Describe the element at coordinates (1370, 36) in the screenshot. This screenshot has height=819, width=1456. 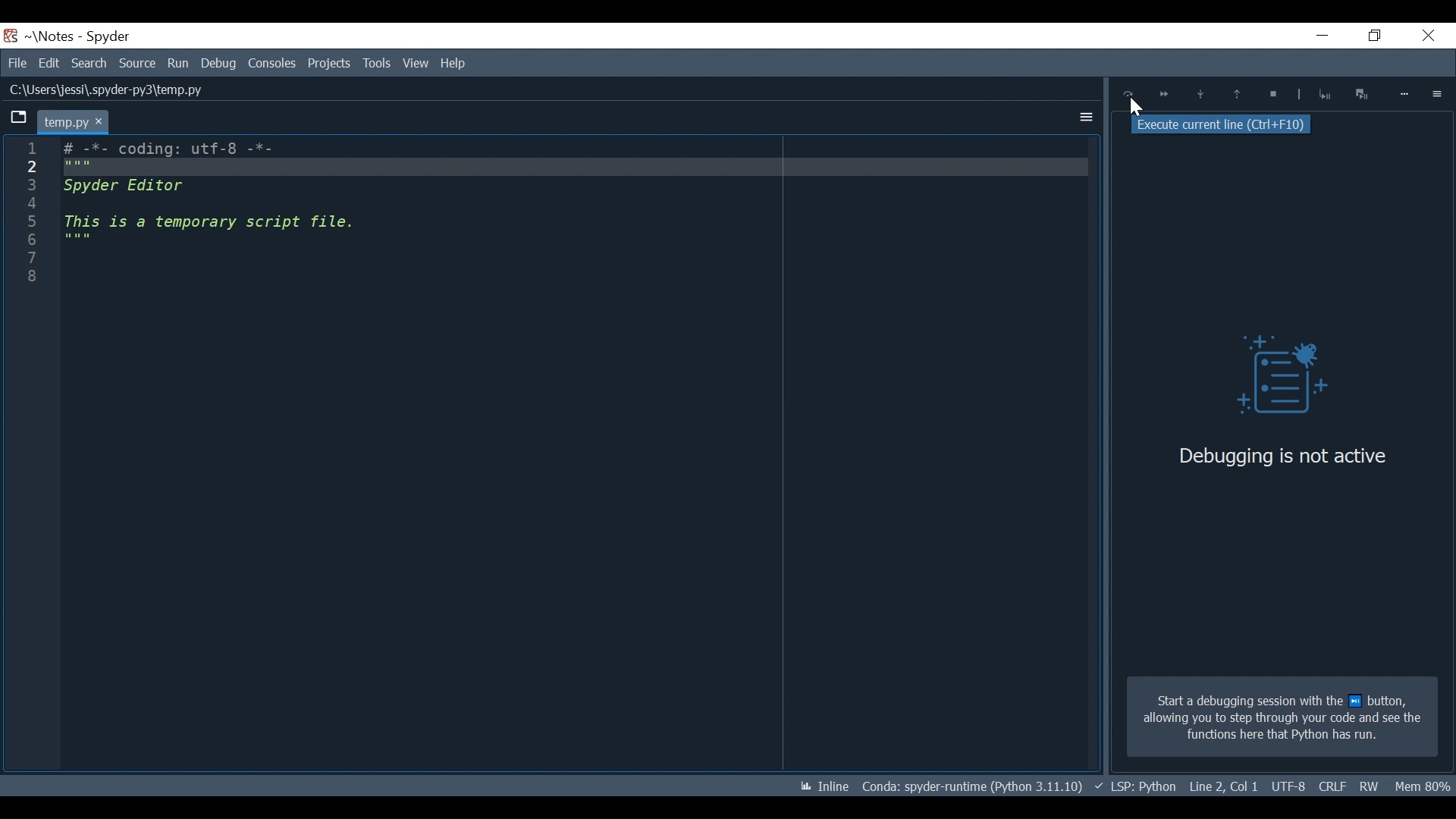
I see `Restore` at that location.